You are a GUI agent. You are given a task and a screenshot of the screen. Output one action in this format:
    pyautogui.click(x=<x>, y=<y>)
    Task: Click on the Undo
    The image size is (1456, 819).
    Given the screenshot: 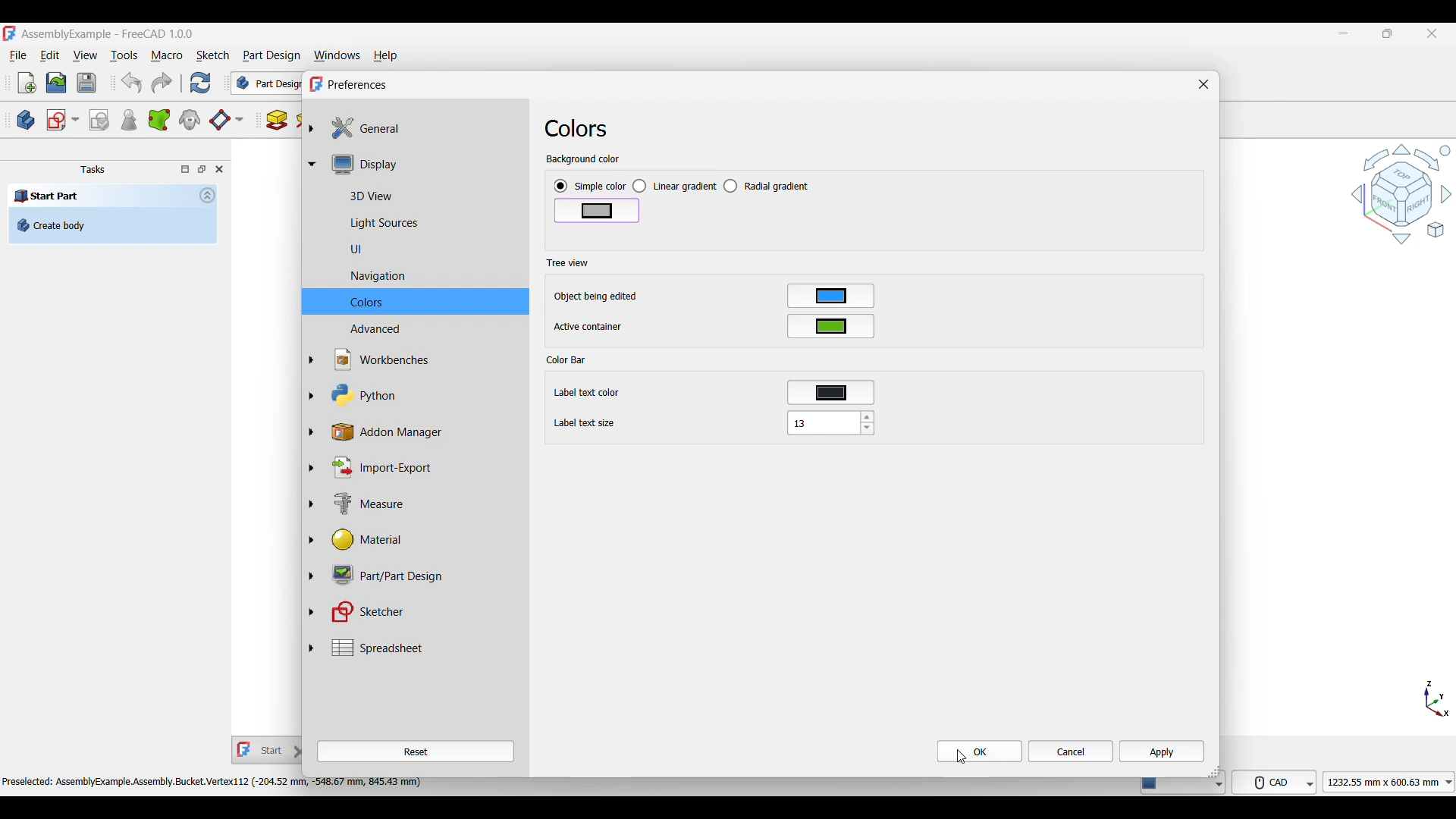 What is the action you would take?
    pyautogui.click(x=131, y=83)
    